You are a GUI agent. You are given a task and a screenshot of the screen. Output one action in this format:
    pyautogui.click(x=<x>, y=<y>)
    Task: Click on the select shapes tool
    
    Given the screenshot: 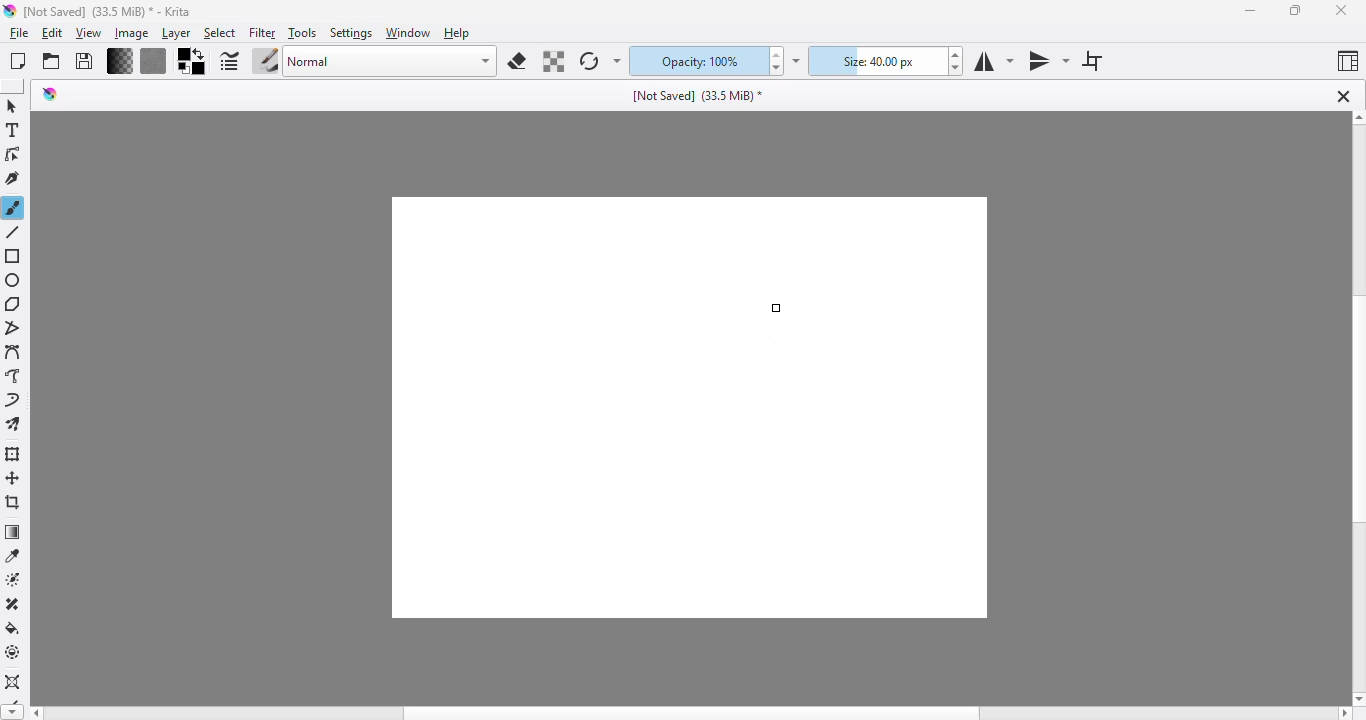 What is the action you would take?
    pyautogui.click(x=14, y=107)
    